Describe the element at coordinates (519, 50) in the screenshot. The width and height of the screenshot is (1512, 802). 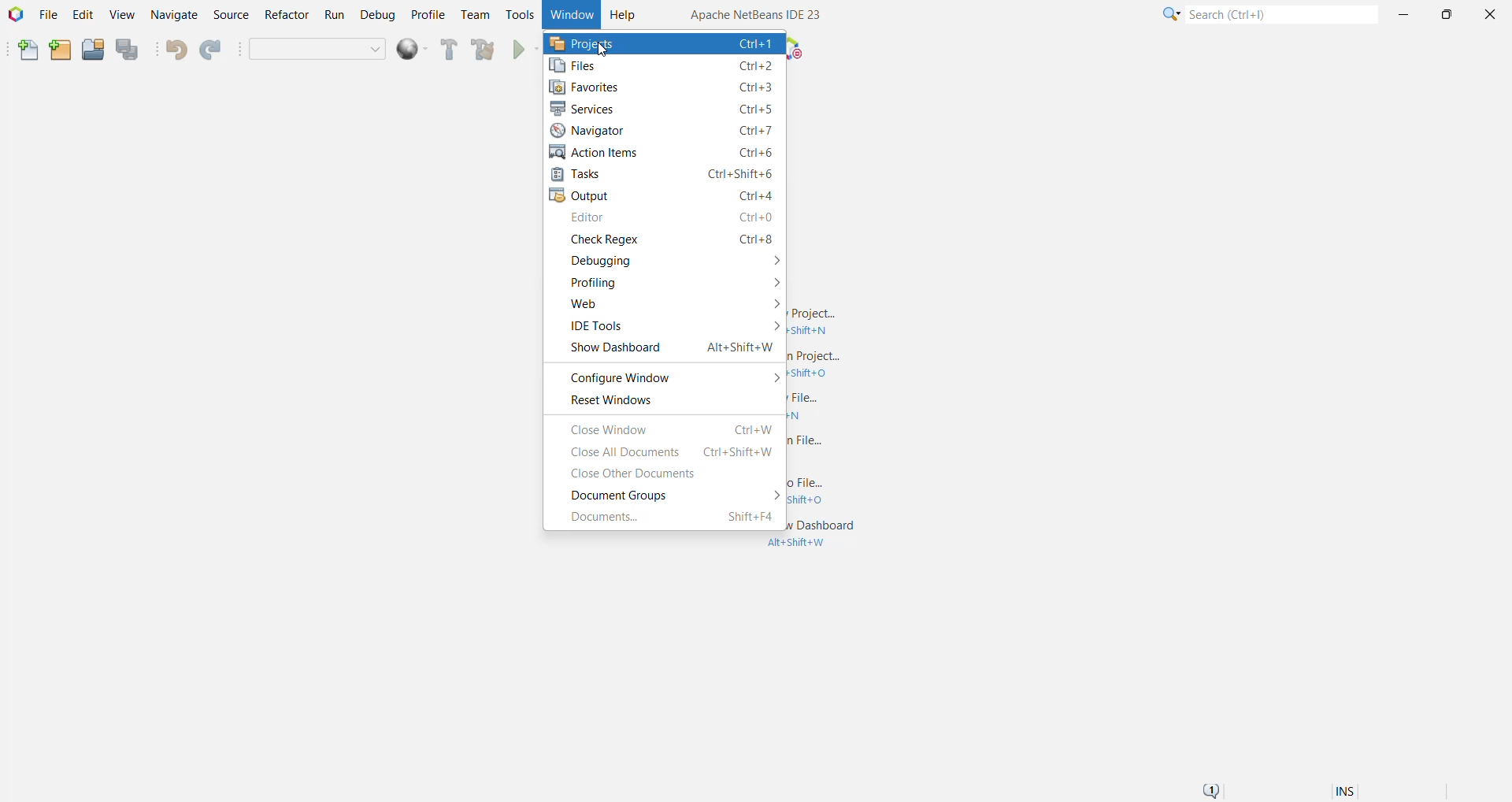
I see `Run Project` at that location.